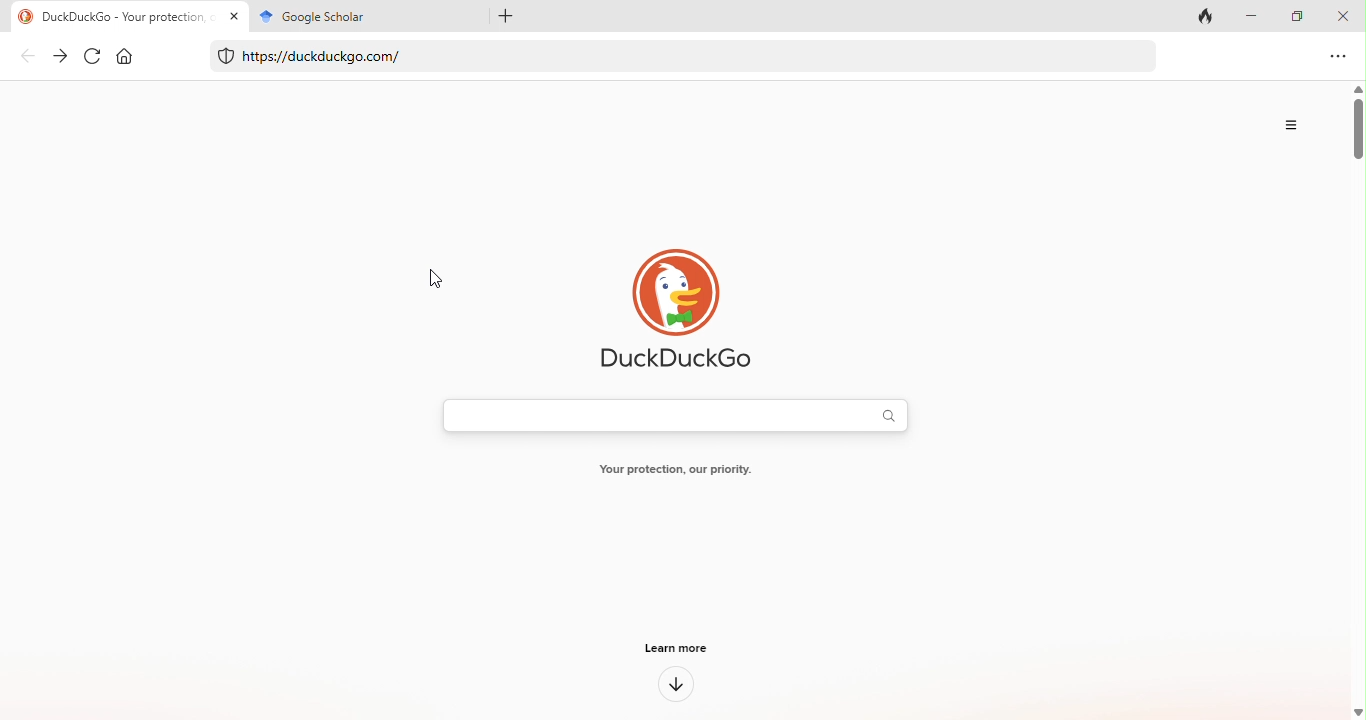 The height and width of the screenshot is (720, 1366). What do you see at coordinates (1295, 125) in the screenshot?
I see `option` at bounding box center [1295, 125].